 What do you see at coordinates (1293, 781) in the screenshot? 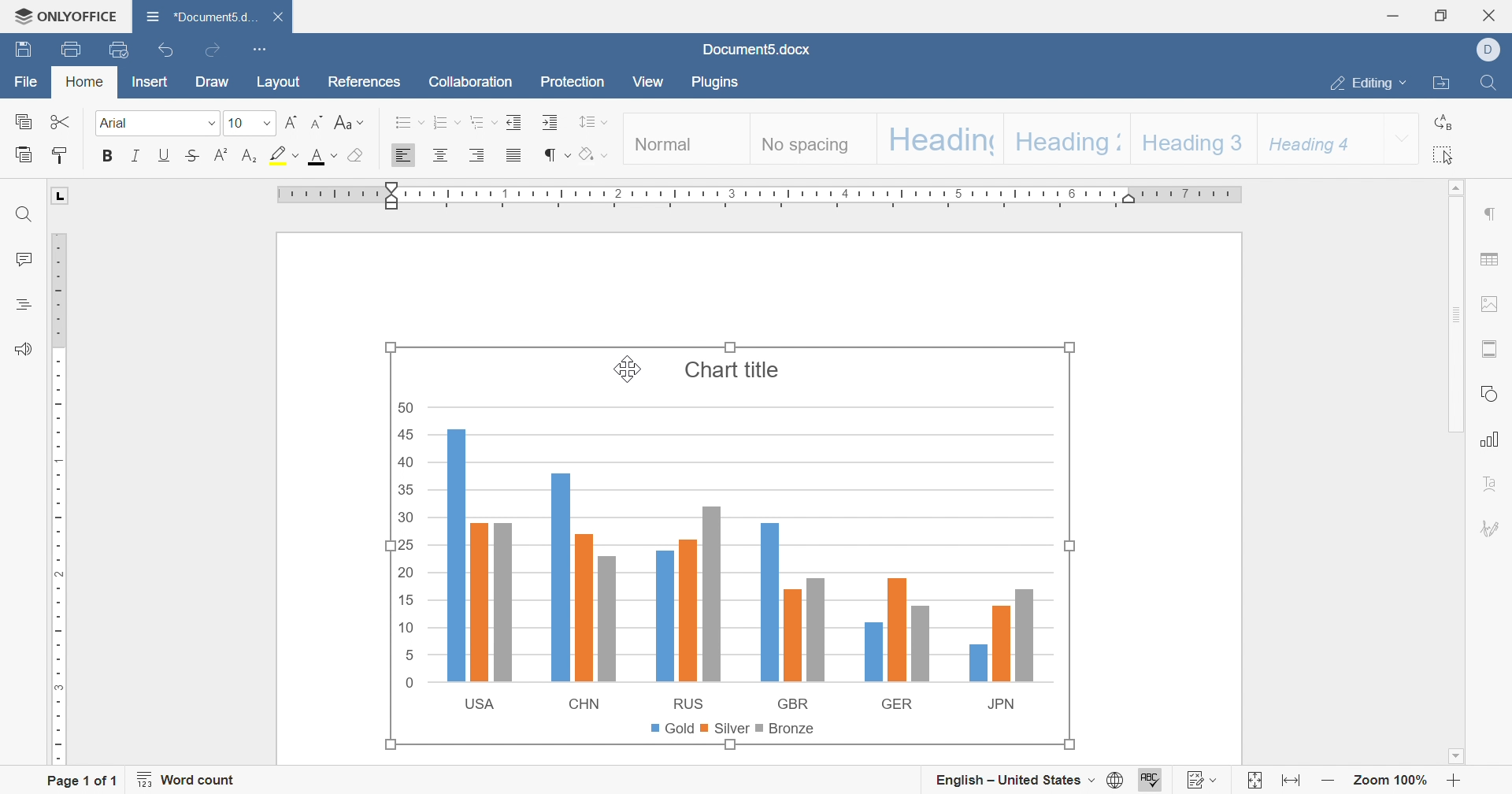
I see `fit to width` at bounding box center [1293, 781].